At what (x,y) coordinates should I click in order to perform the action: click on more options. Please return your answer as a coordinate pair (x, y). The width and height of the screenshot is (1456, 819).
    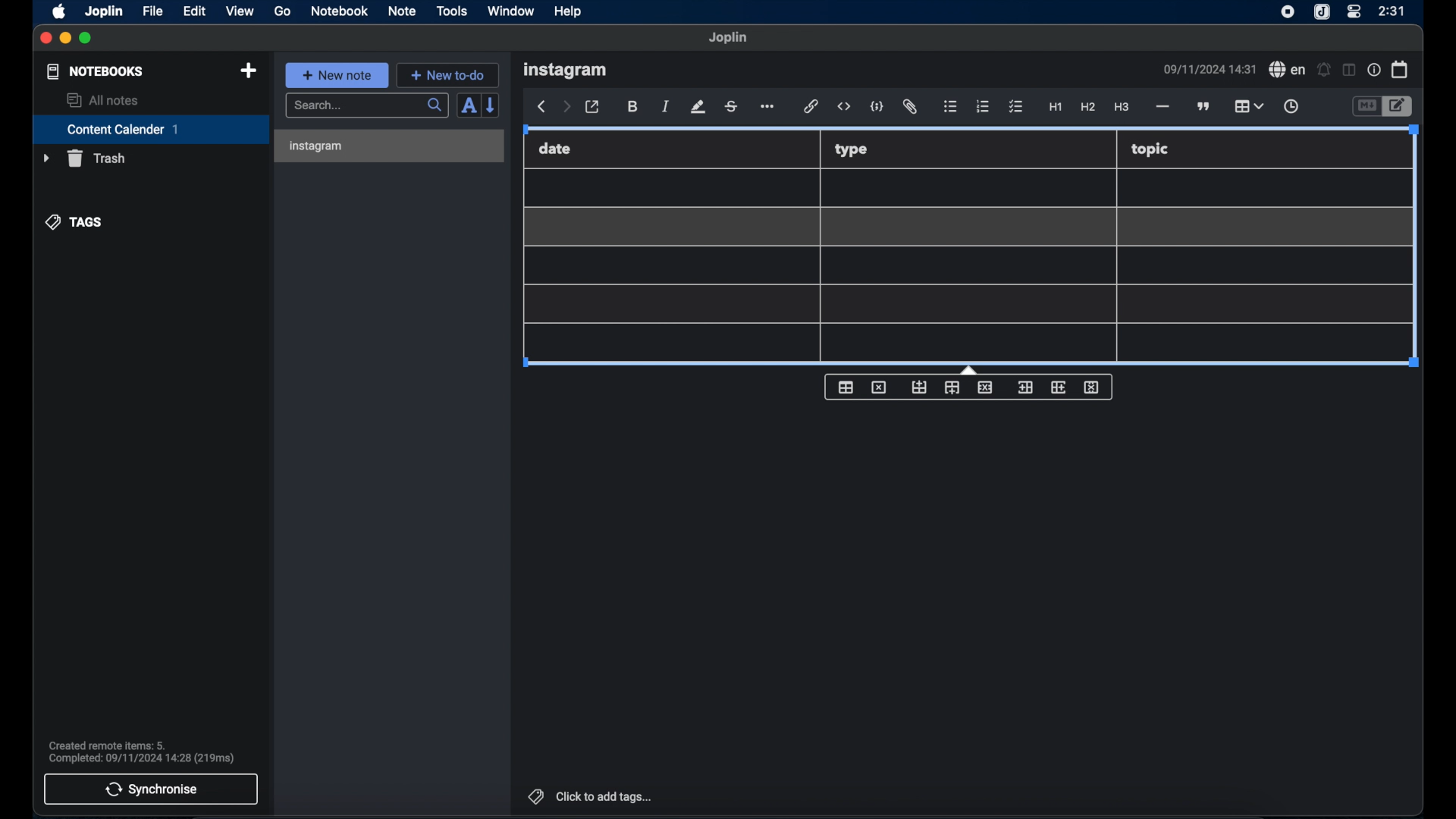
    Looking at the image, I should click on (766, 106).